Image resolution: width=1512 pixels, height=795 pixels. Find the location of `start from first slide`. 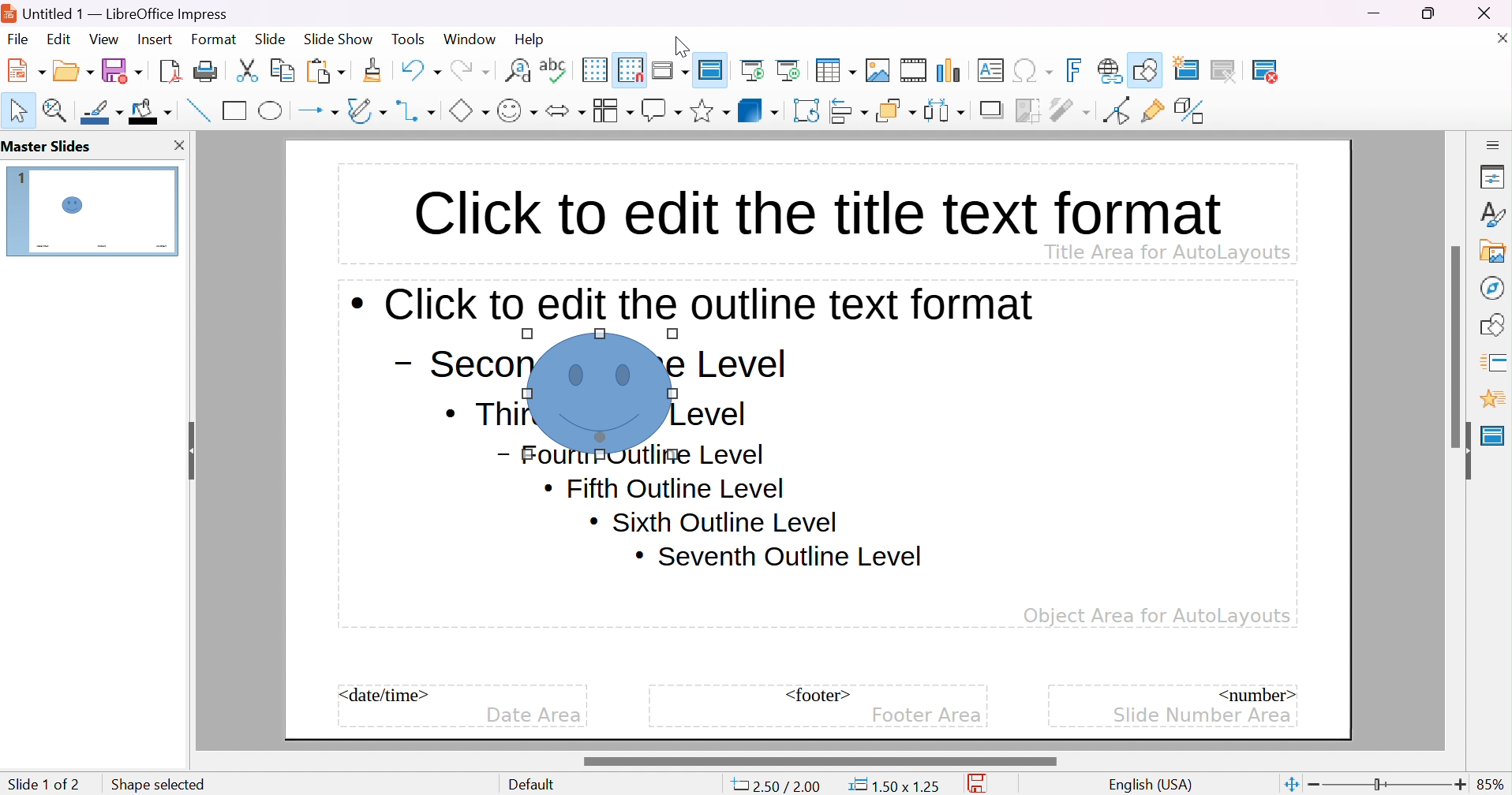

start from first slide is located at coordinates (754, 69).